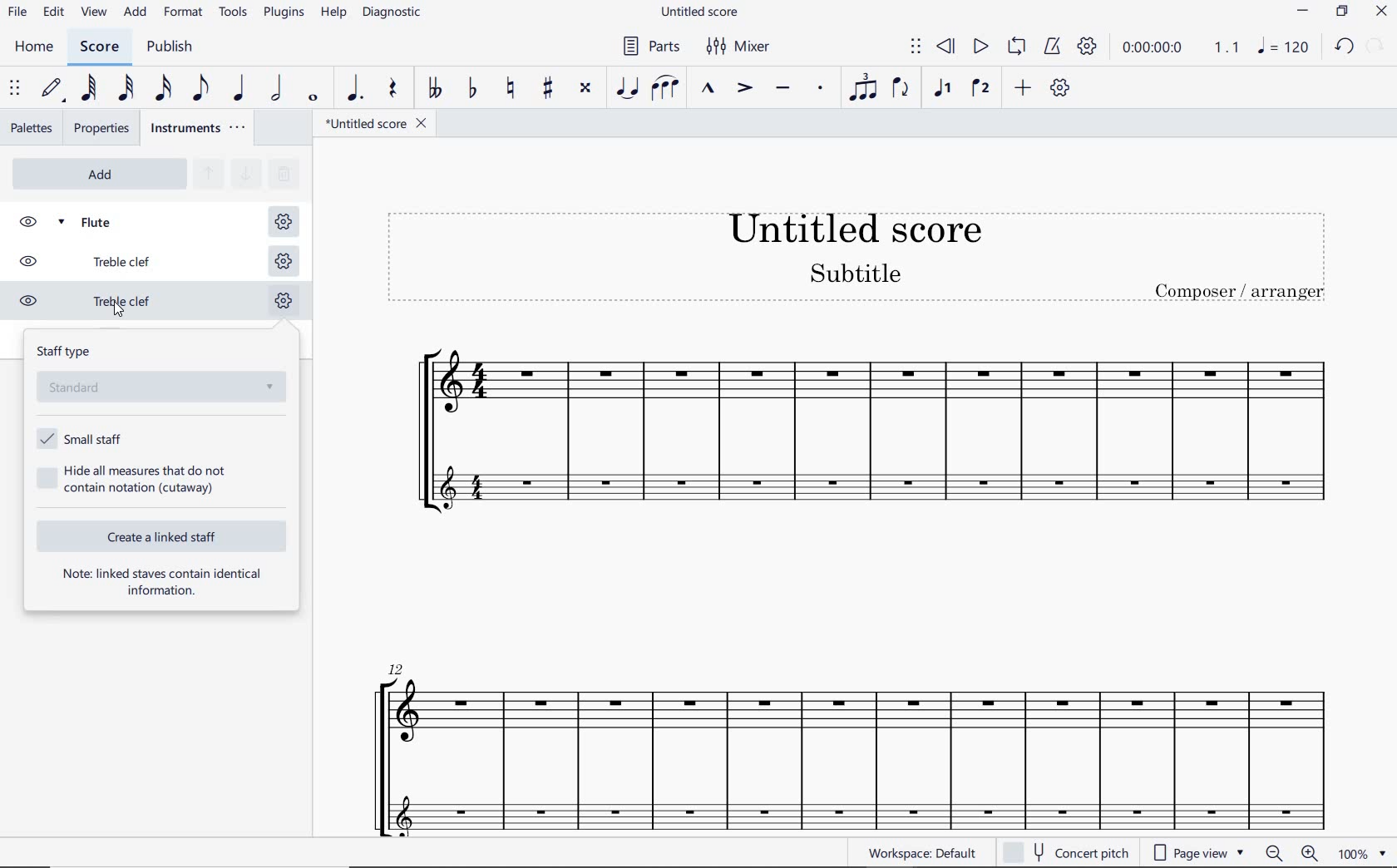 This screenshot has width=1397, height=868. Describe the element at coordinates (101, 128) in the screenshot. I see `properties` at that location.